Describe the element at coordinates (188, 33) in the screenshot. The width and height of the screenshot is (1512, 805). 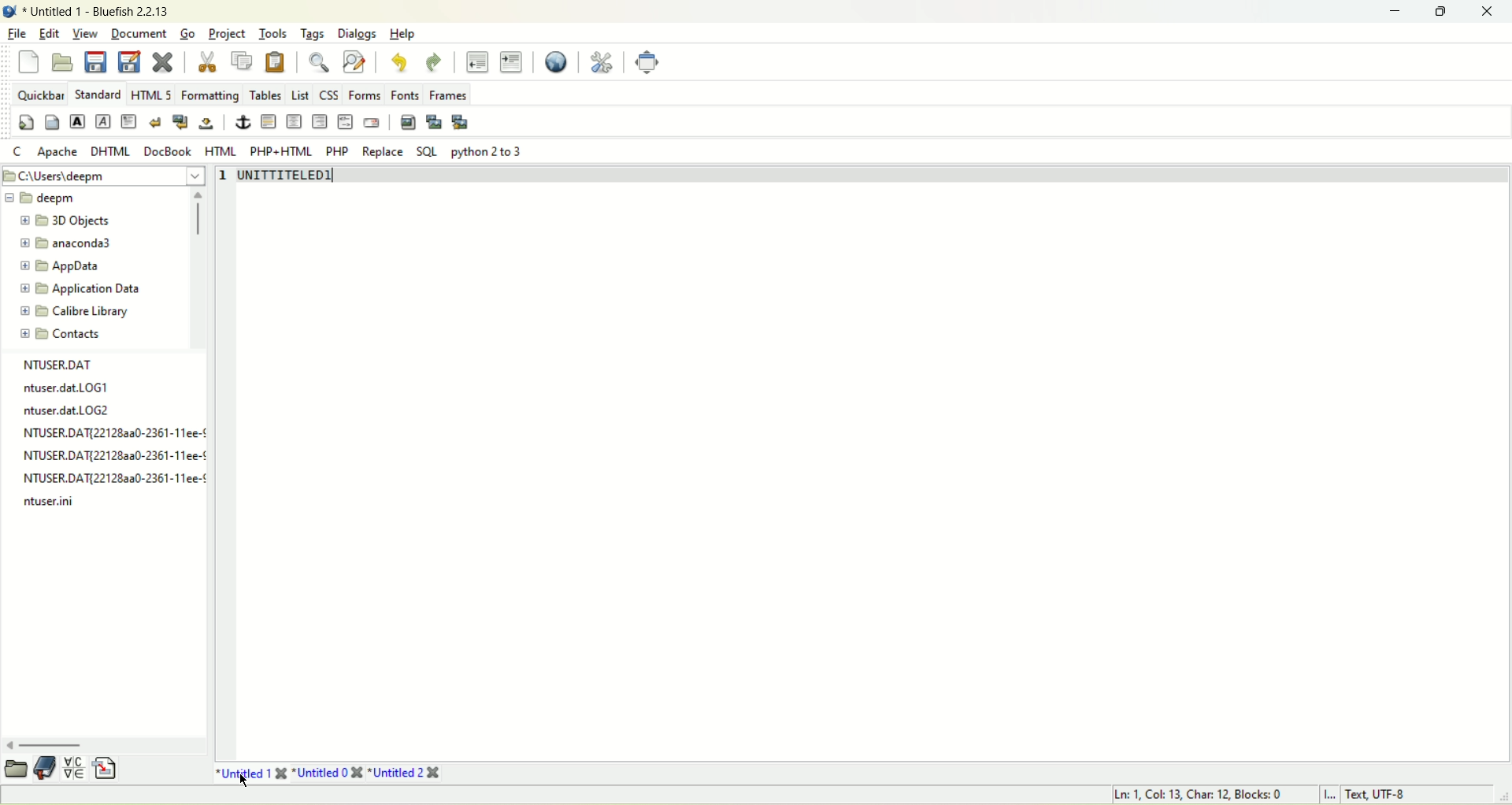
I see `go` at that location.